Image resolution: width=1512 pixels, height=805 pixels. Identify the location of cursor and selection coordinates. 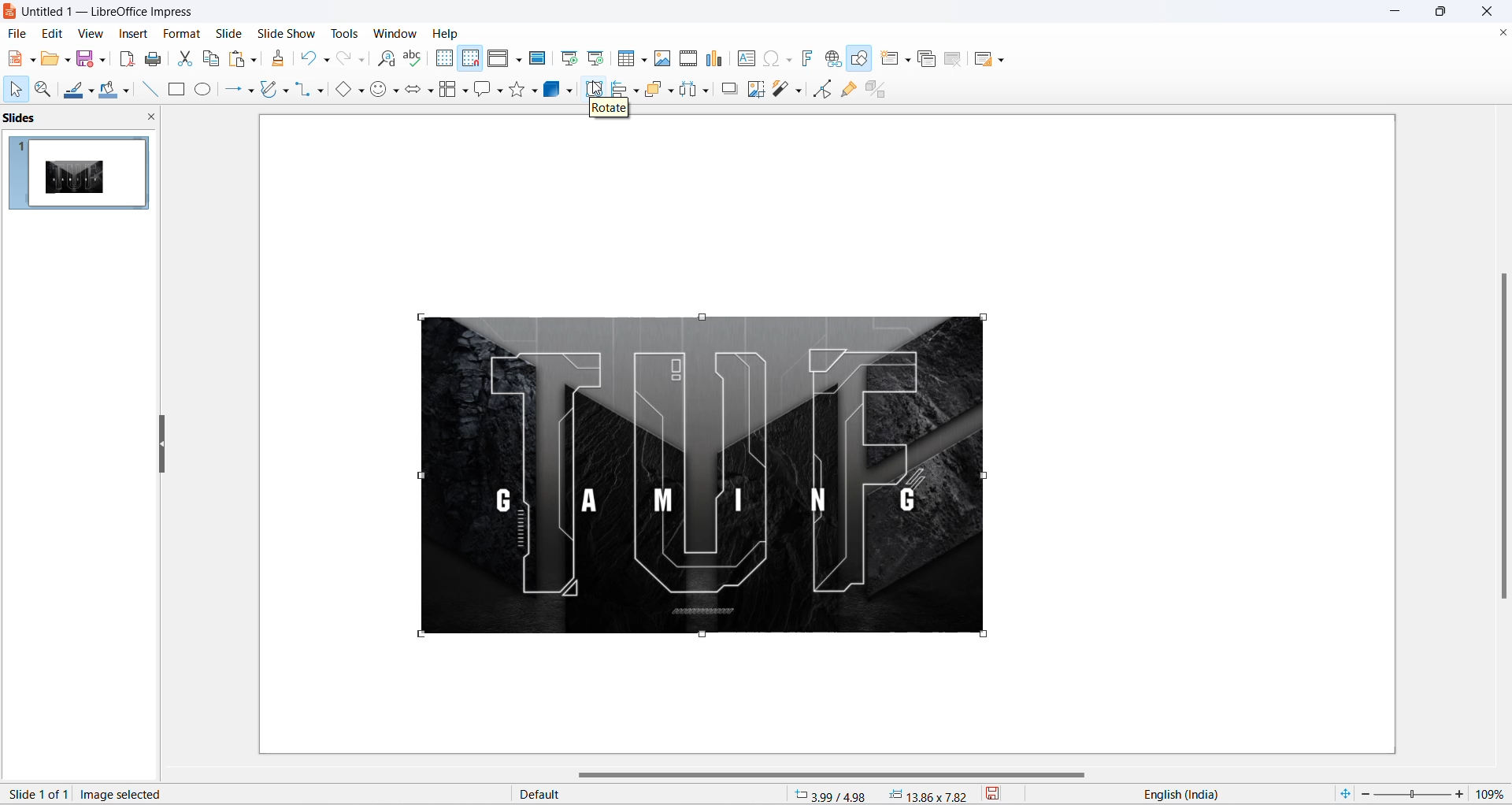
(884, 795).